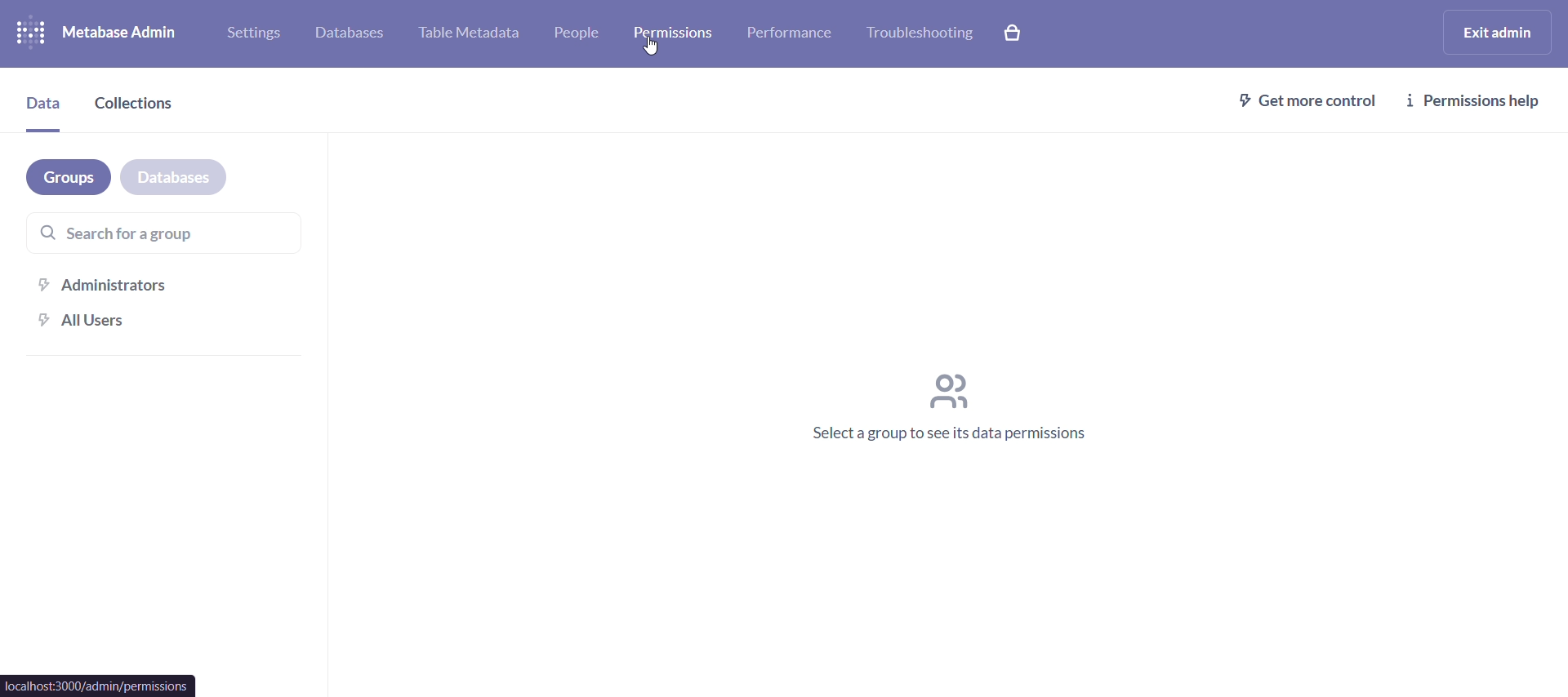 The image size is (1568, 697). What do you see at coordinates (174, 177) in the screenshot?
I see `database` at bounding box center [174, 177].